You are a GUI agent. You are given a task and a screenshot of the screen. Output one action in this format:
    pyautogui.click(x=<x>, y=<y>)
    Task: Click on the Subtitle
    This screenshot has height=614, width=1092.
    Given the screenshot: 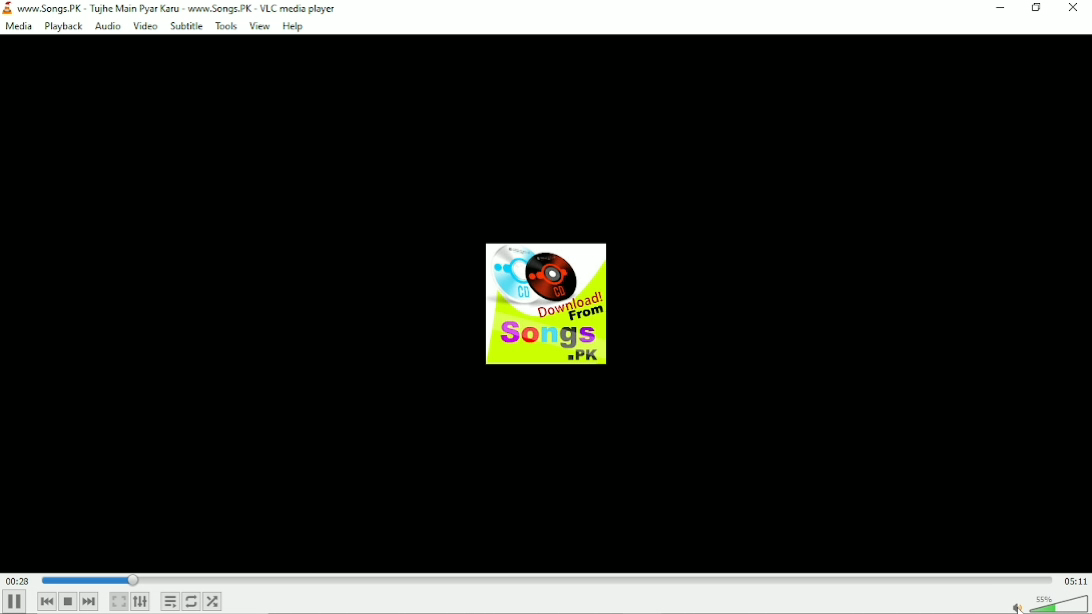 What is the action you would take?
    pyautogui.click(x=186, y=26)
    